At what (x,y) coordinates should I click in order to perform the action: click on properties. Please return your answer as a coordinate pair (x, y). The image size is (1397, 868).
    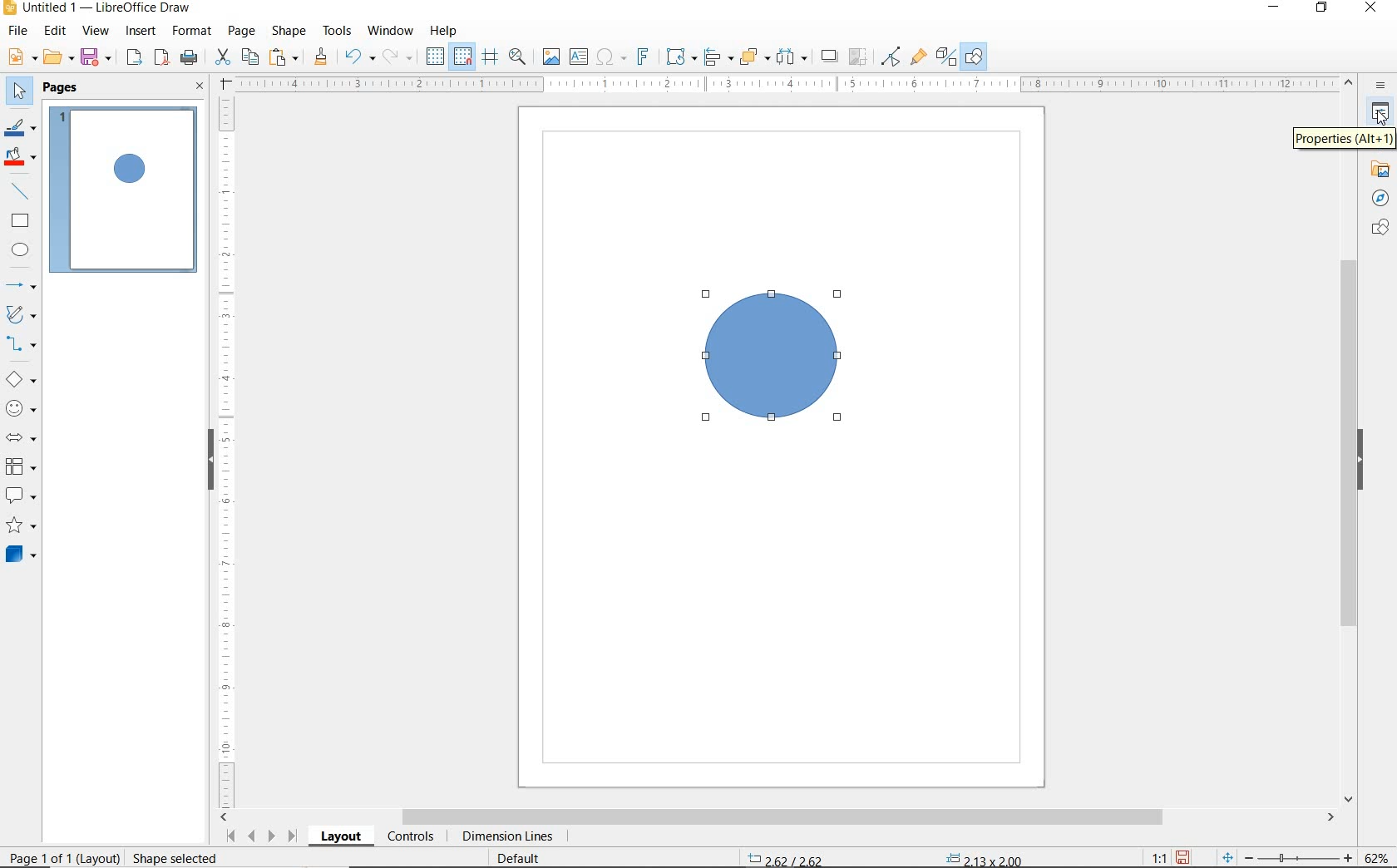
    Looking at the image, I should click on (1380, 112).